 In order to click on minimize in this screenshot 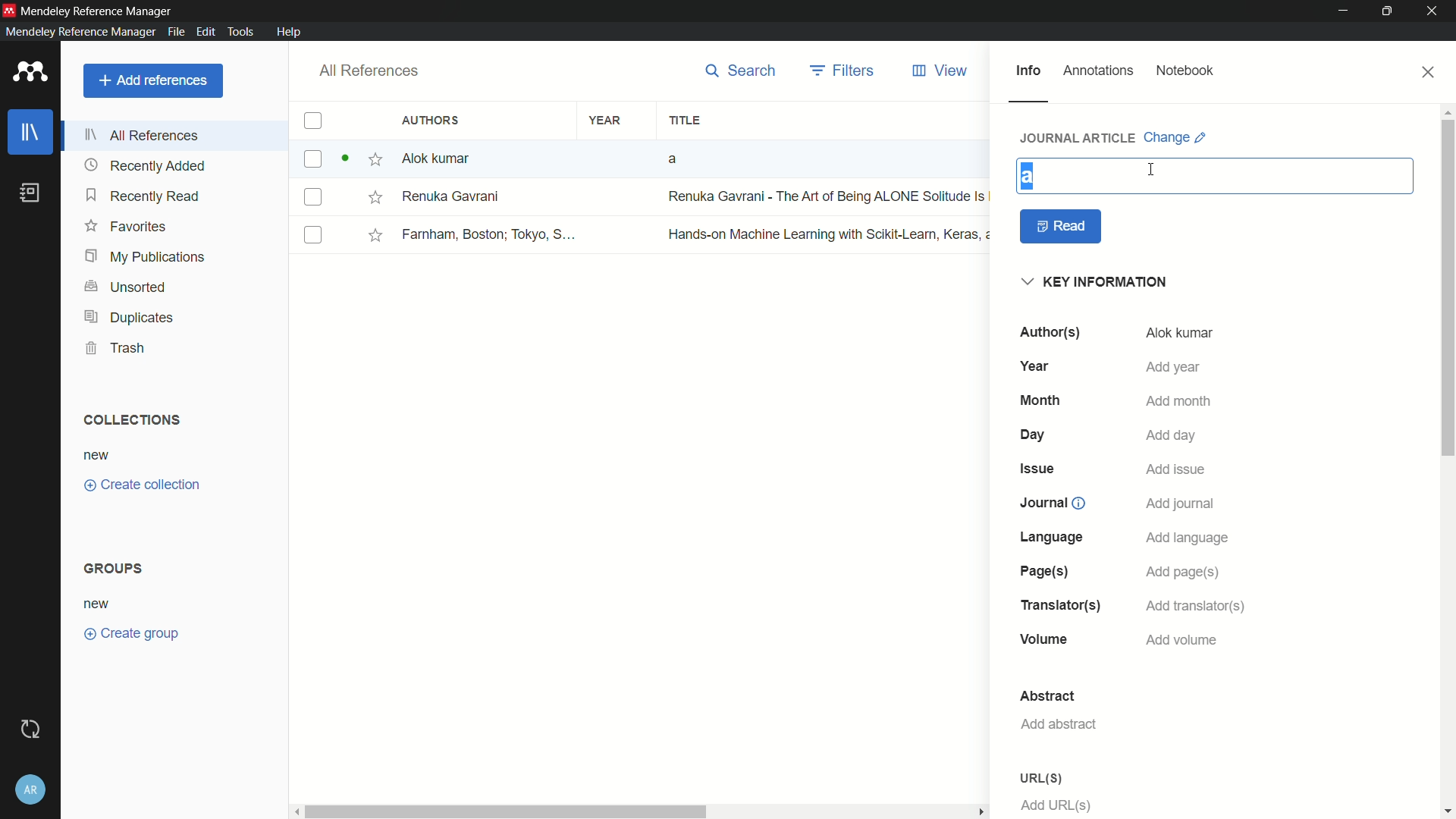, I will do `click(1344, 11)`.